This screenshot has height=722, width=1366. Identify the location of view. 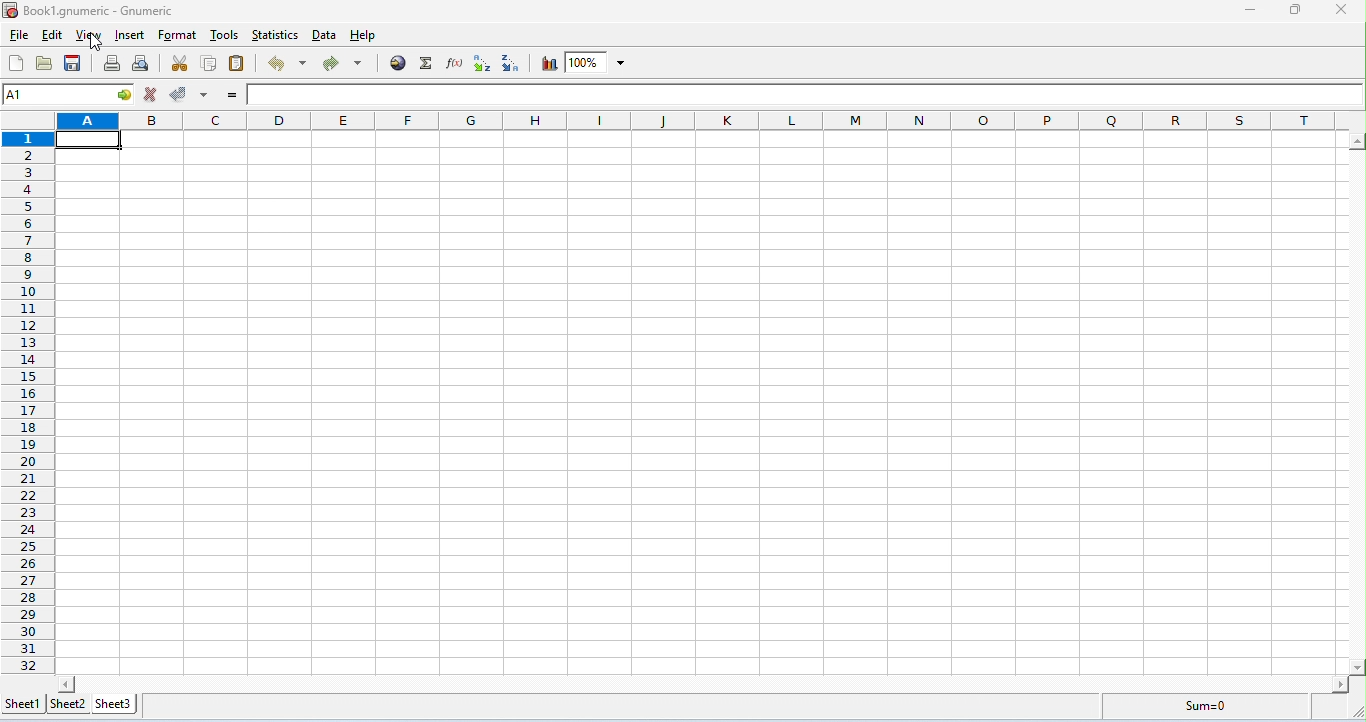
(91, 37).